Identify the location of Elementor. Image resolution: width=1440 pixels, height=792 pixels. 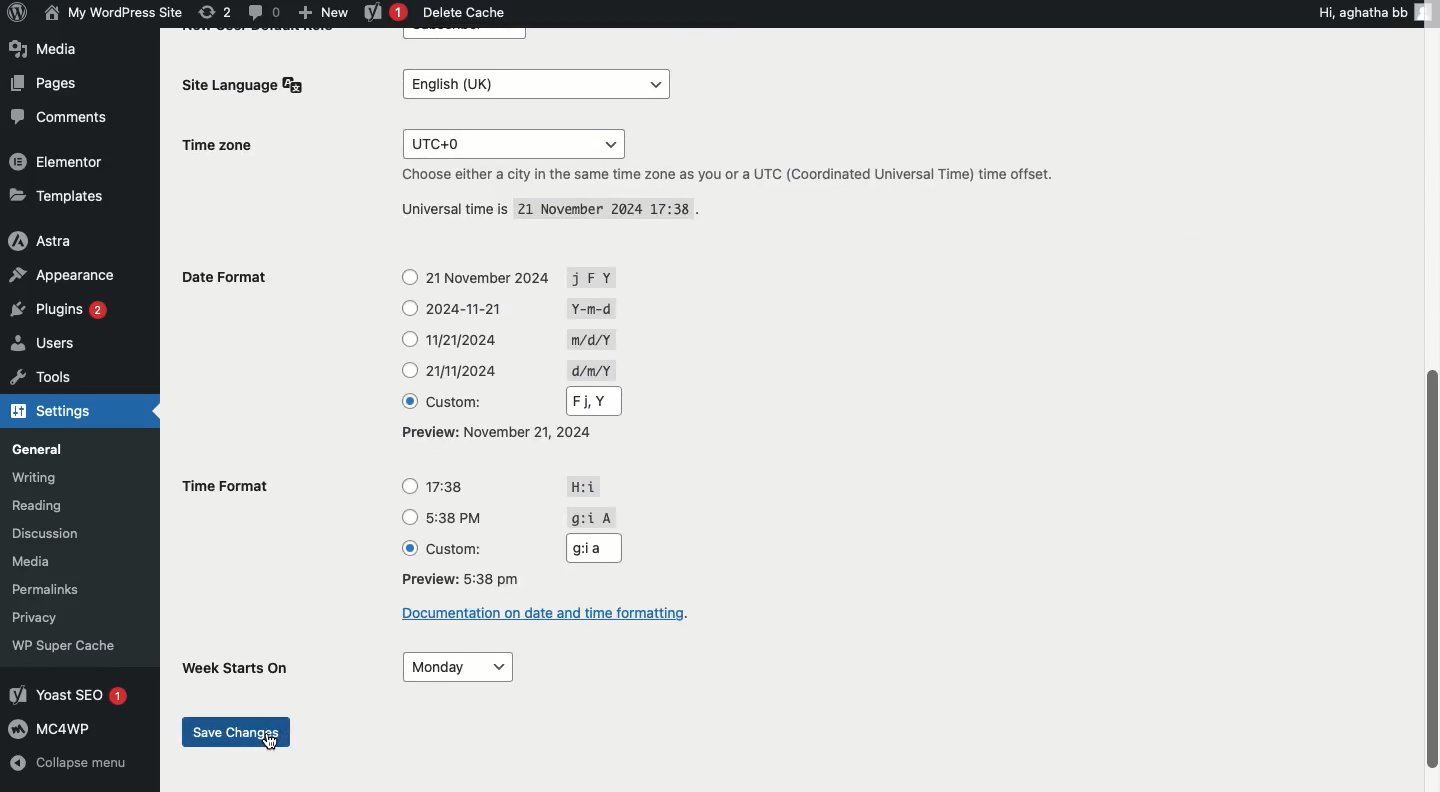
(58, 161).